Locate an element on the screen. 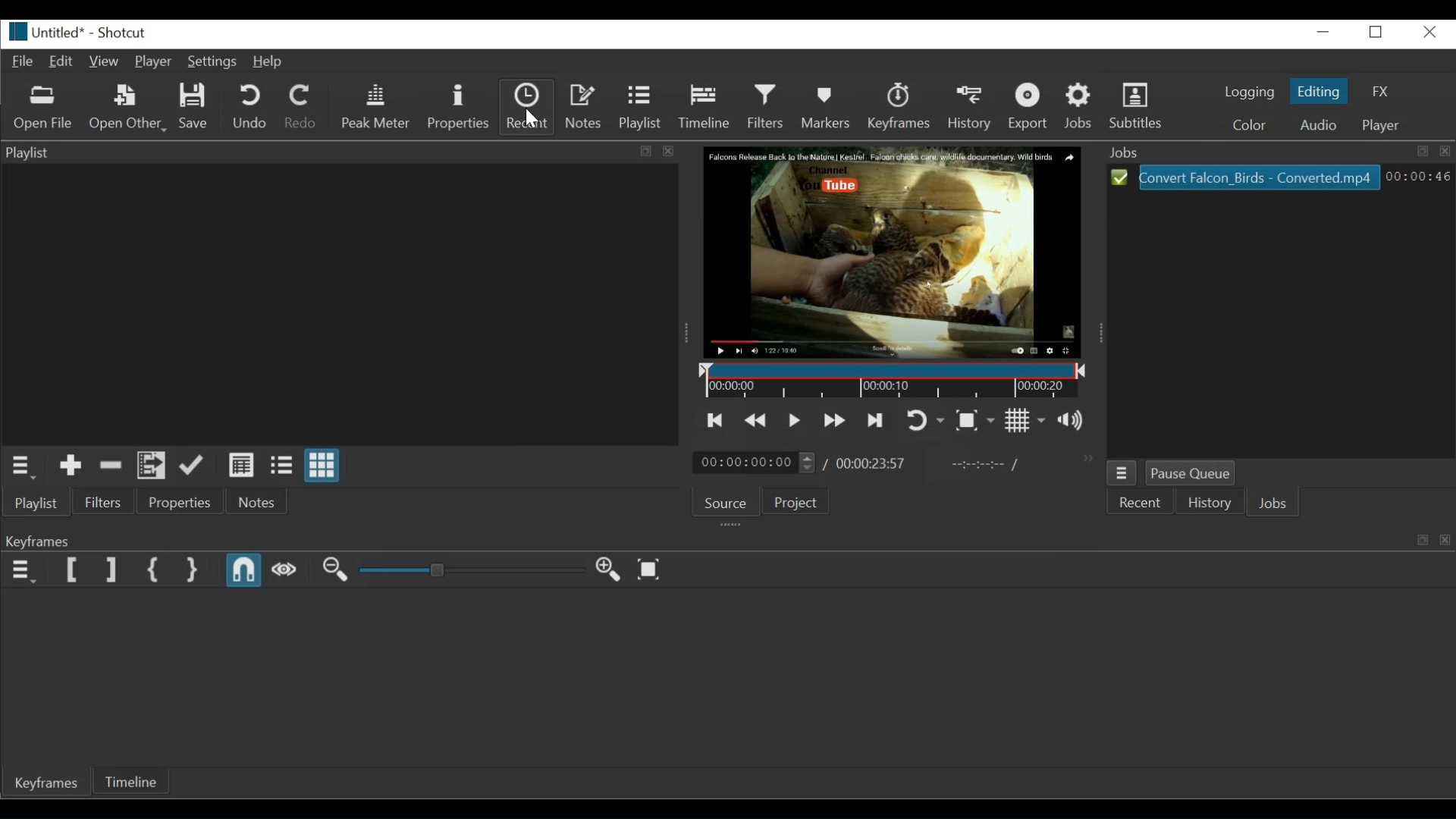 This screenshot has height=819, width=1456. Set Filter End is located at coordinates (111, 570).